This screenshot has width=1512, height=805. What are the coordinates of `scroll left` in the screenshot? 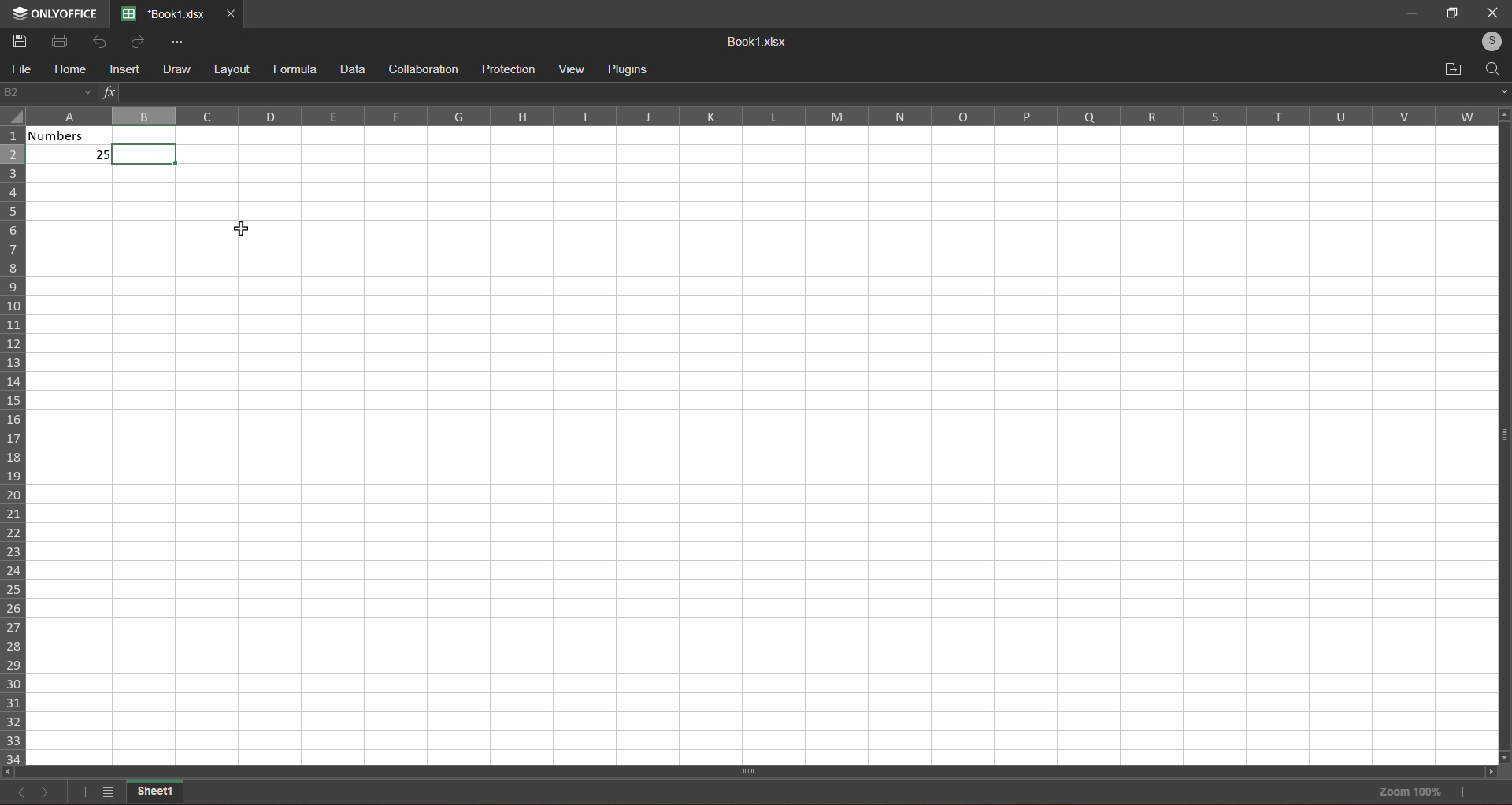 It's located at (12, 770).